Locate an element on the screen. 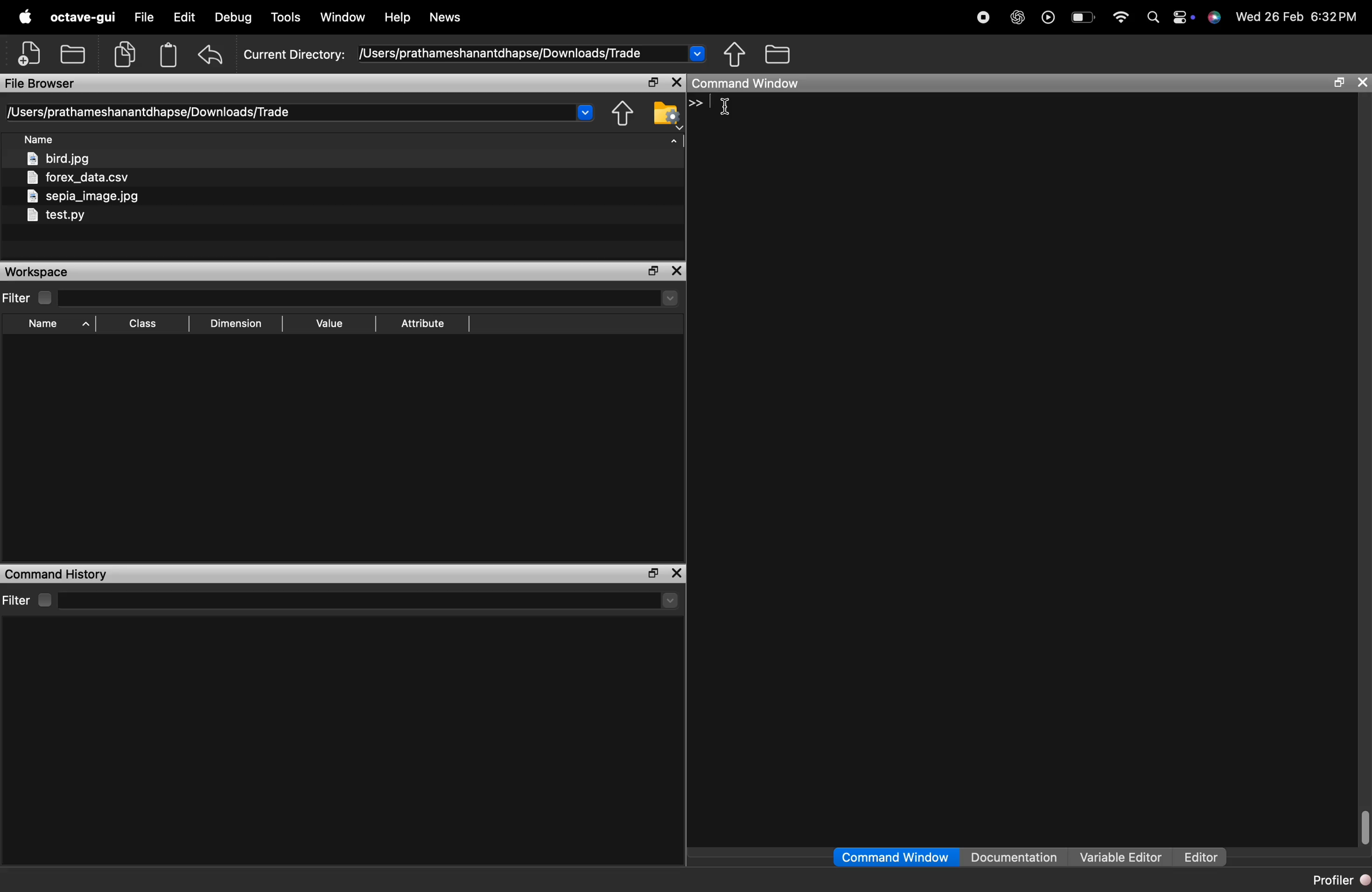 This screenshot has width=1372, height=892. close is located at coordinates (1362, 82).